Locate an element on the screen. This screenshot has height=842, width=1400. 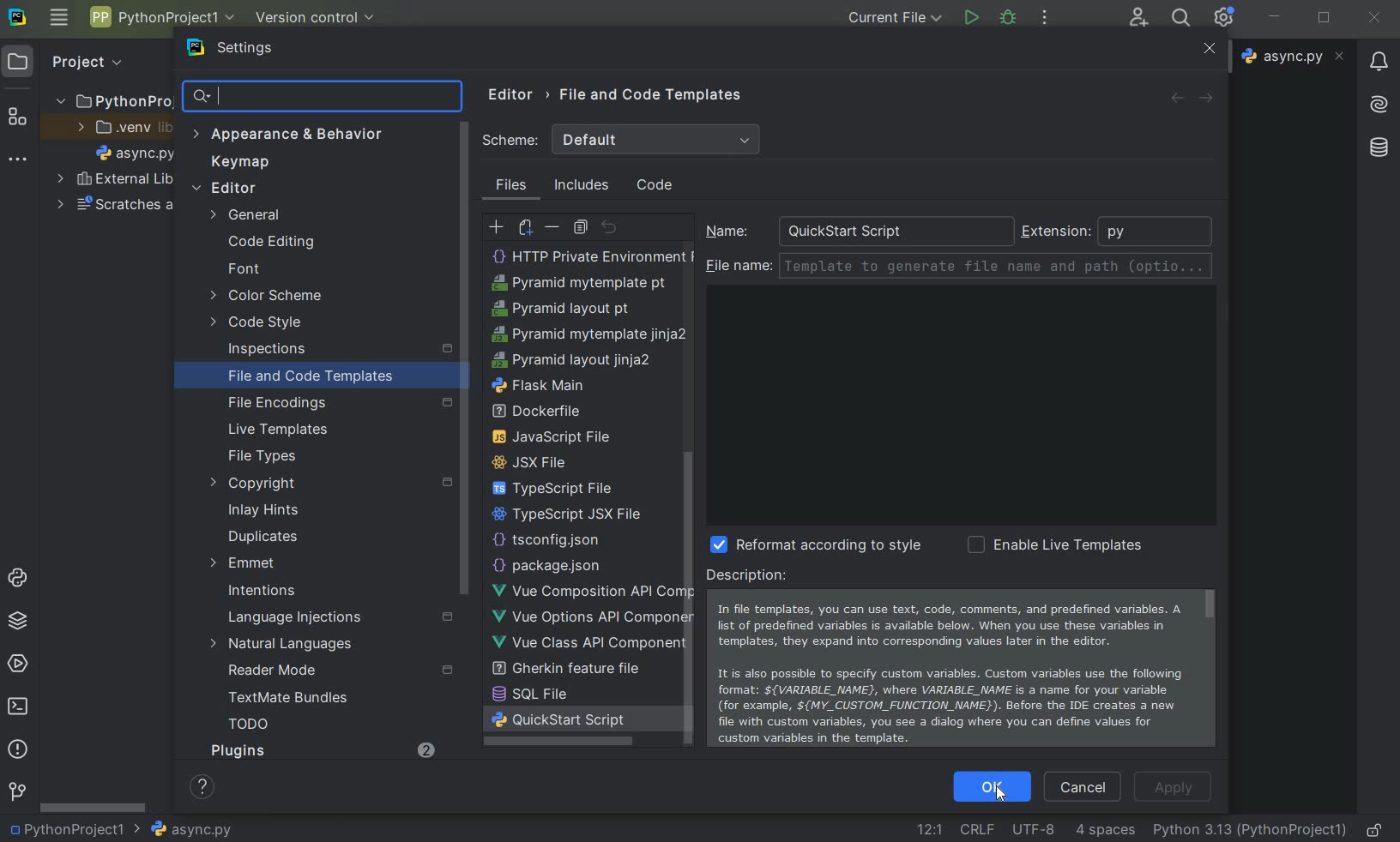
search everywhere is located at coordinates (1181, 19).